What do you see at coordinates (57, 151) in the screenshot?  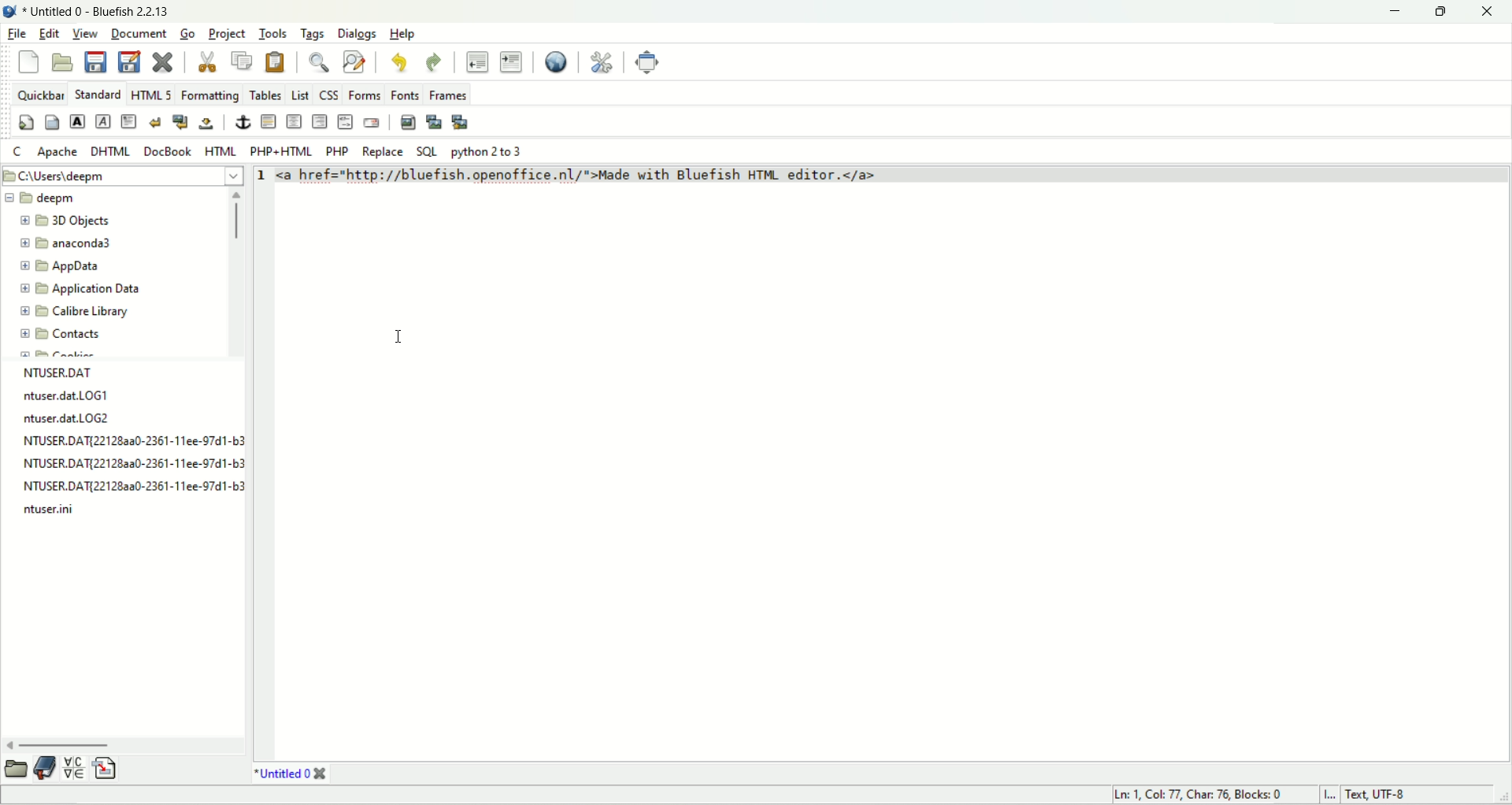 I see `APACHE` at bounding box center [57, 151].